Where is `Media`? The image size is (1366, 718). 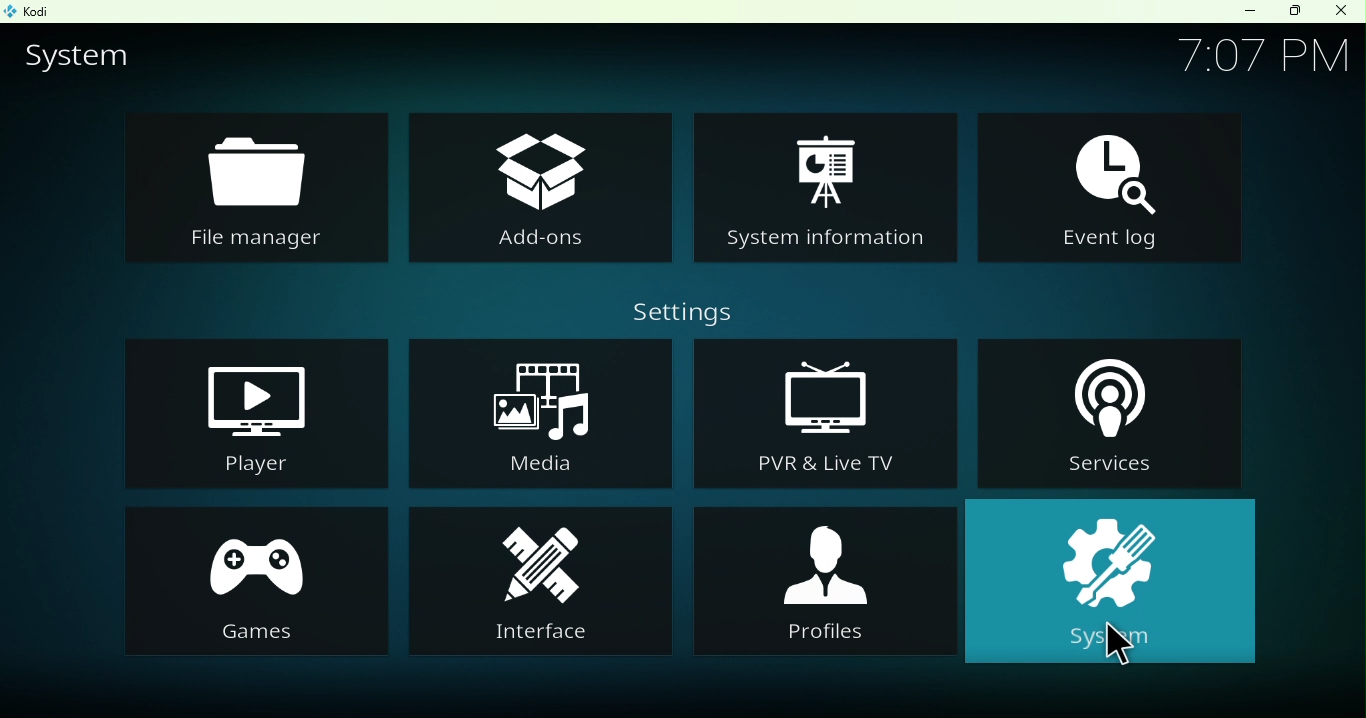 Media is located at coordinates (539, 411).